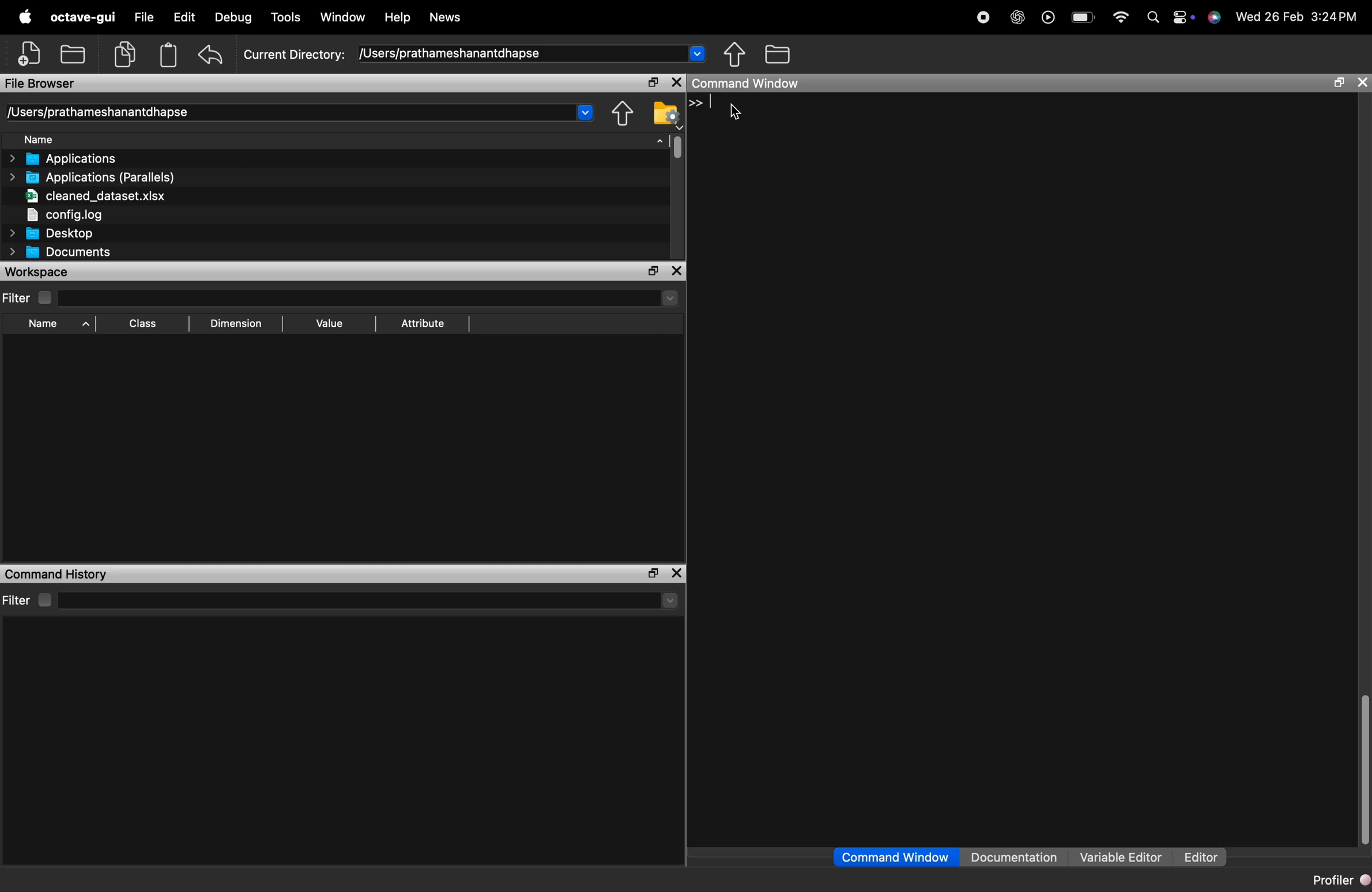 The height and width of the screenshot is (892, 1372). What do you see at coordinates (74, 54) in the screenshot?
I see `open an existing file in directory` at bounding box center [74, 54].